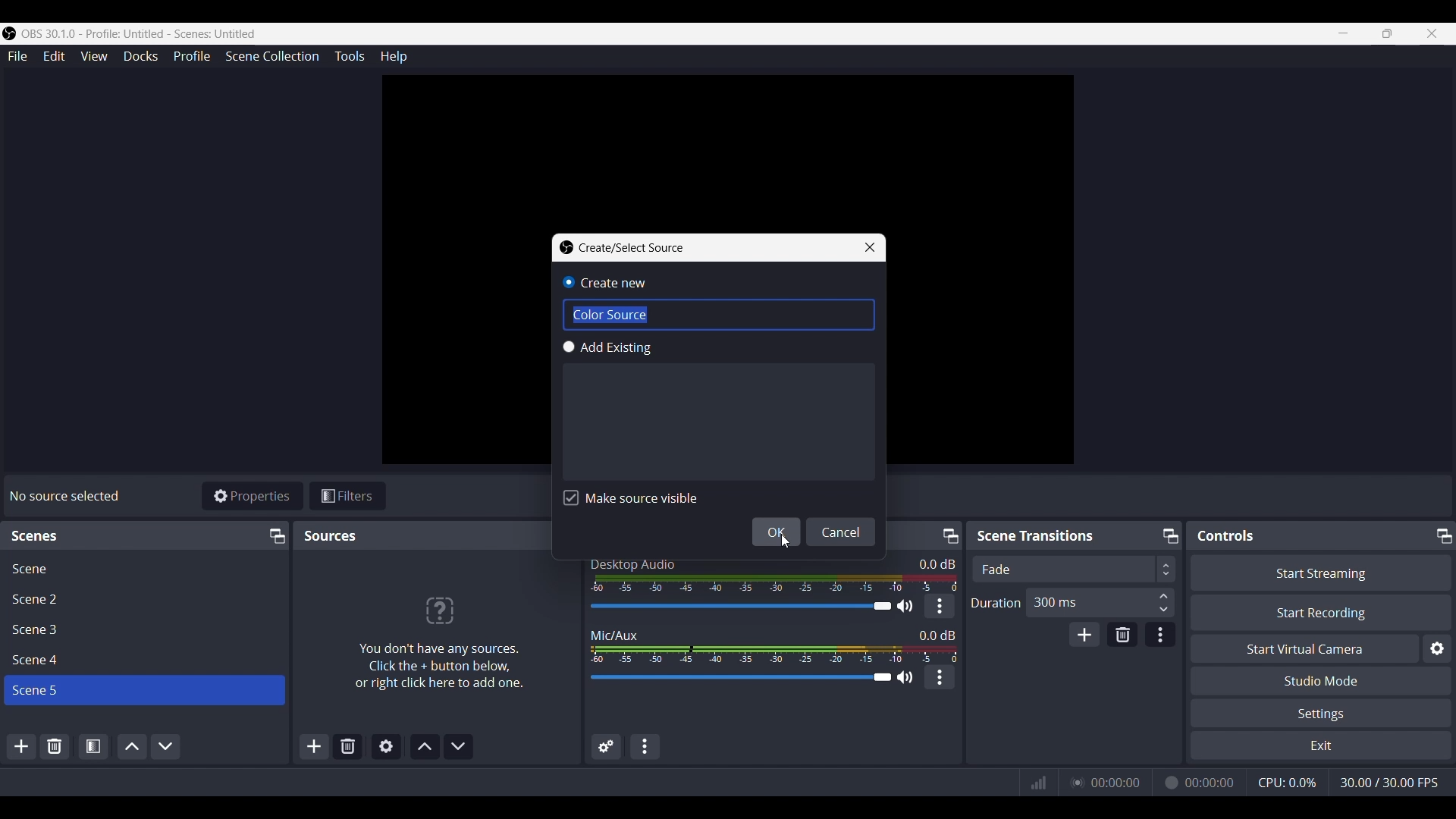  Describe the element at coordinates (141, 630) in the screenshot. I see `Scene File` at that location.